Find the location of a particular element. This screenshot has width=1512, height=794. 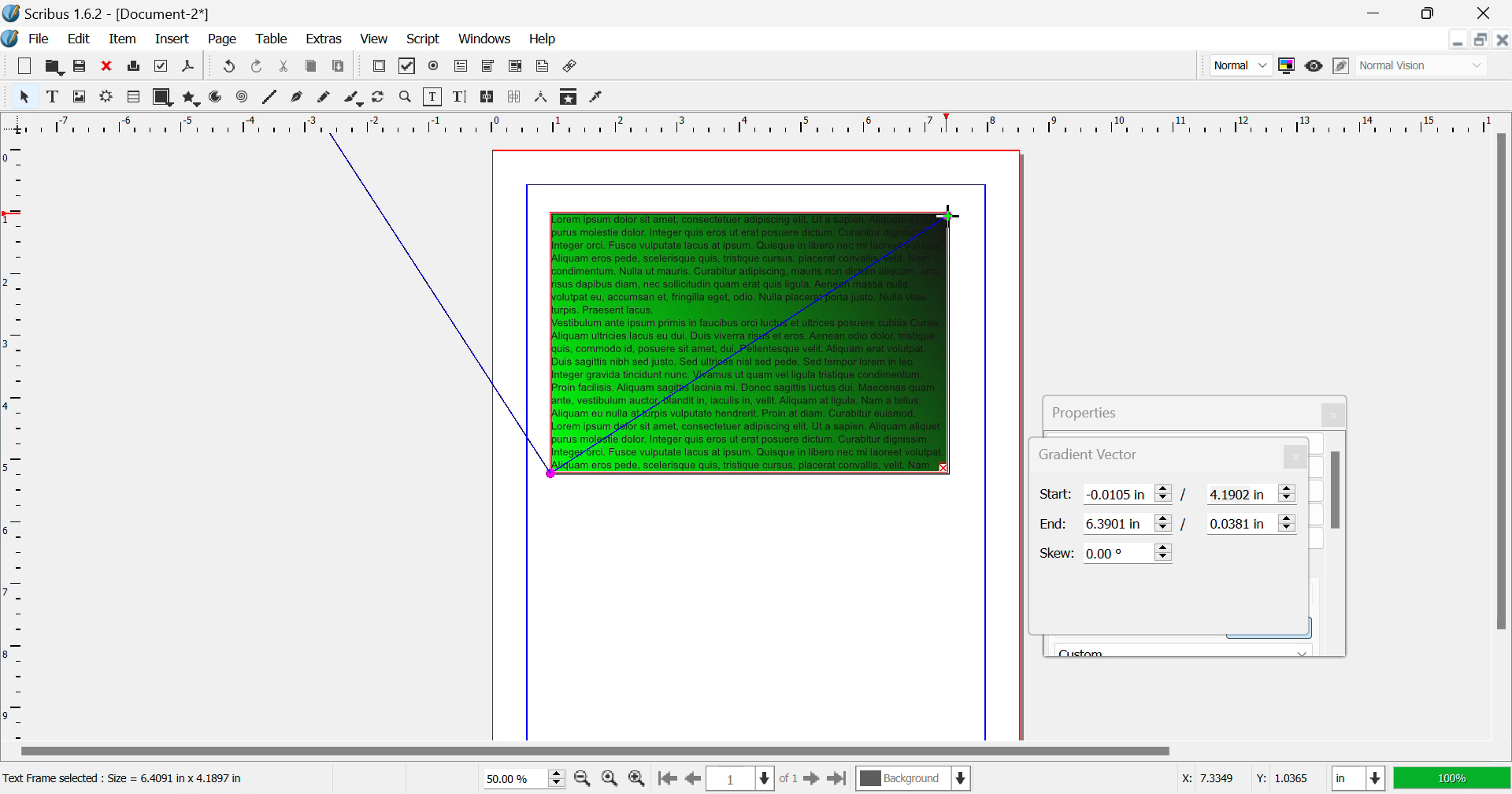

Page Rotation is located at coordinates (382, 98).